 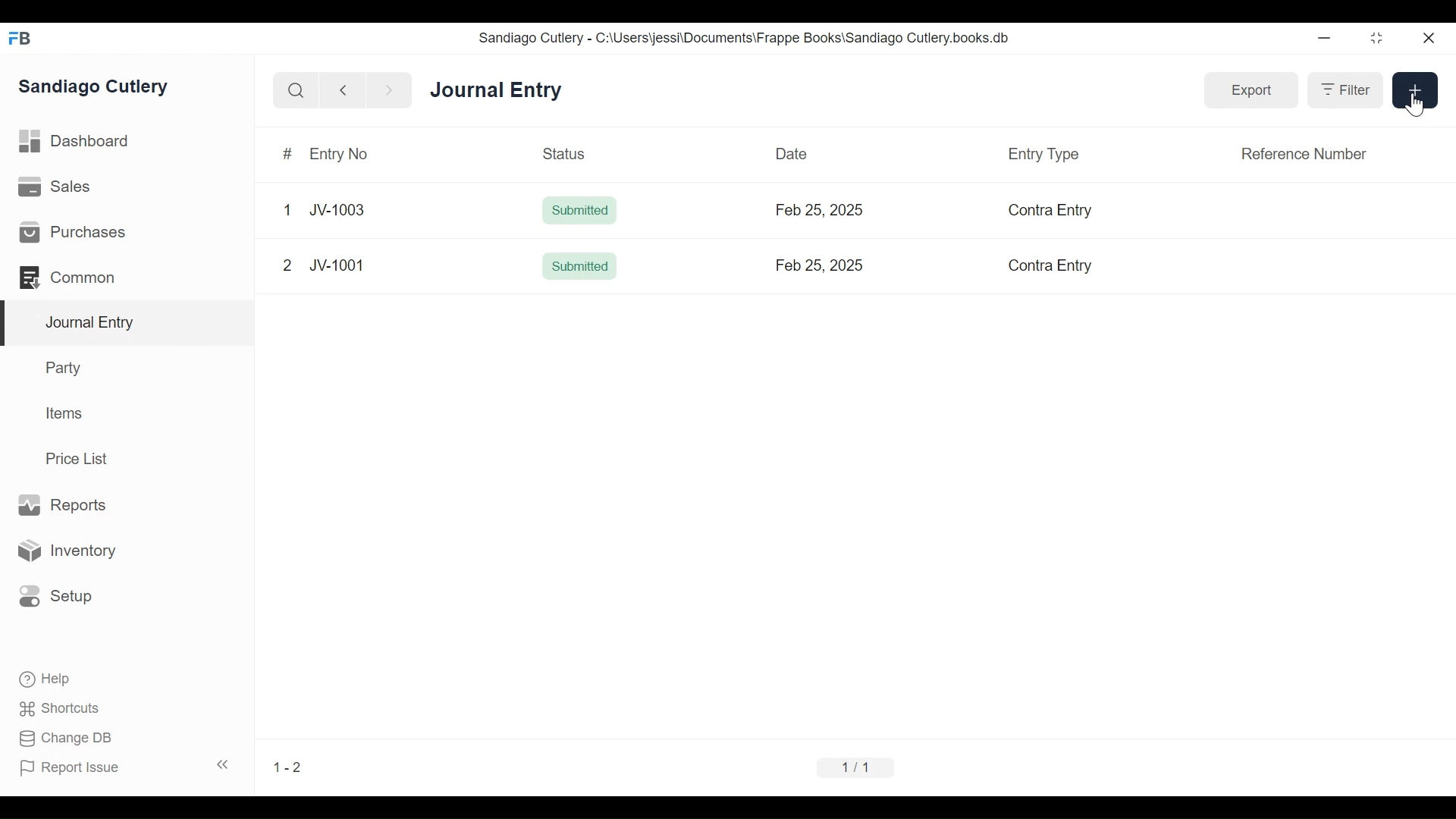 What do you see at coordinates (71, 768) in the screenshot?
I see `Report Issue` at bounding box center [71, 768].